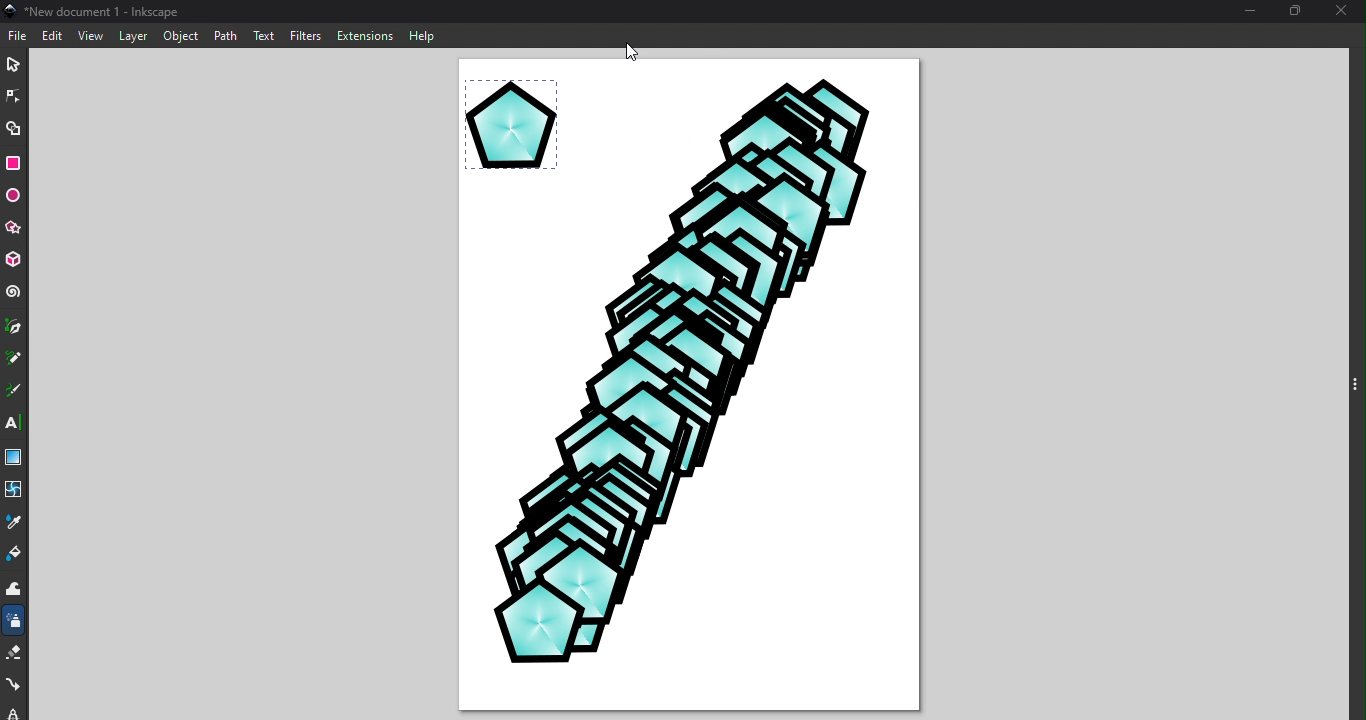  What do you see at coordinates (16, 196) in the screenshot?
I see `Ellipse/arc tool` at bounding box center [16, 196].